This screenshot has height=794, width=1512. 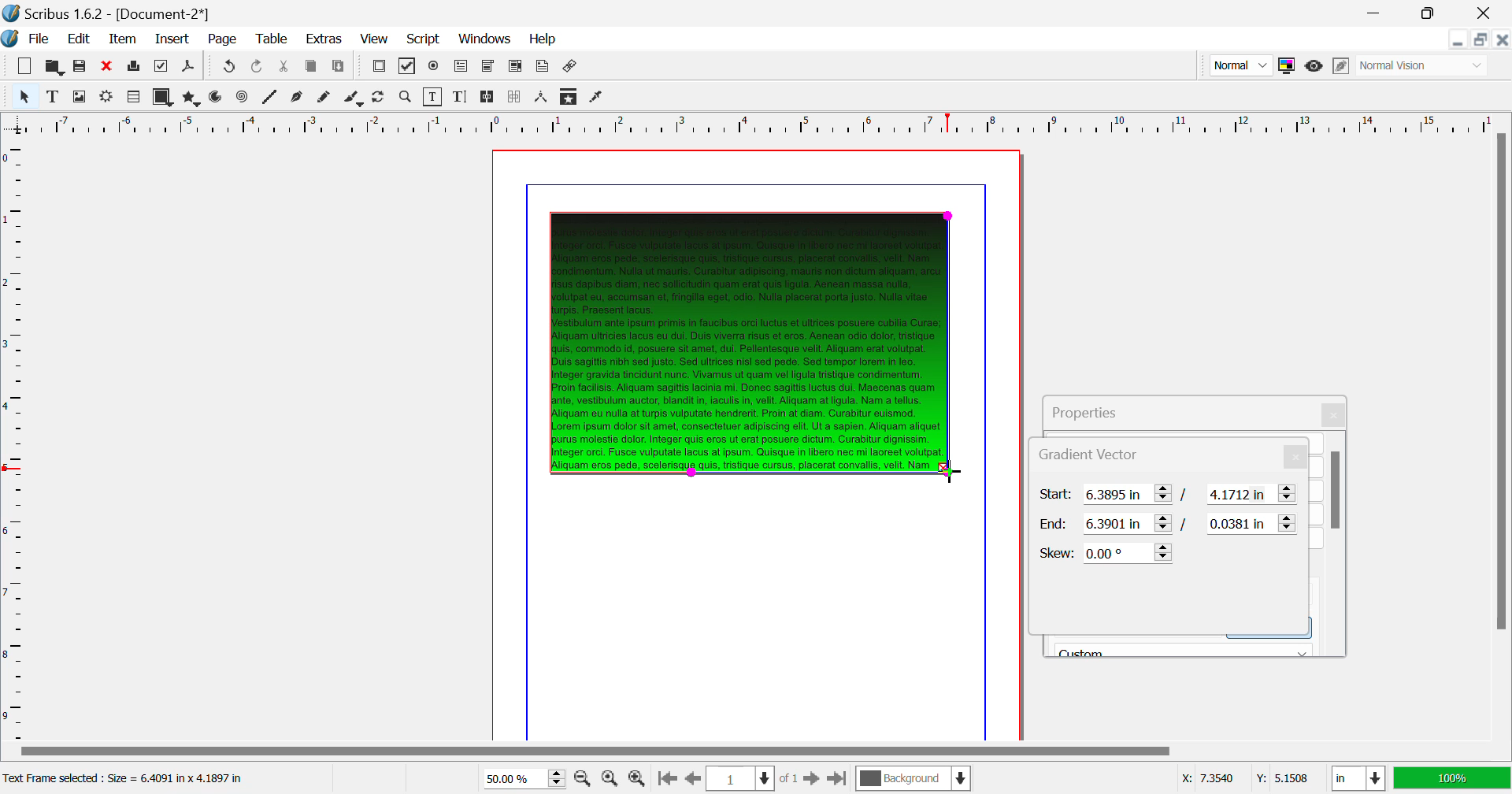 I want to click on Pdf Checkbox, so click(x=408, y=69).